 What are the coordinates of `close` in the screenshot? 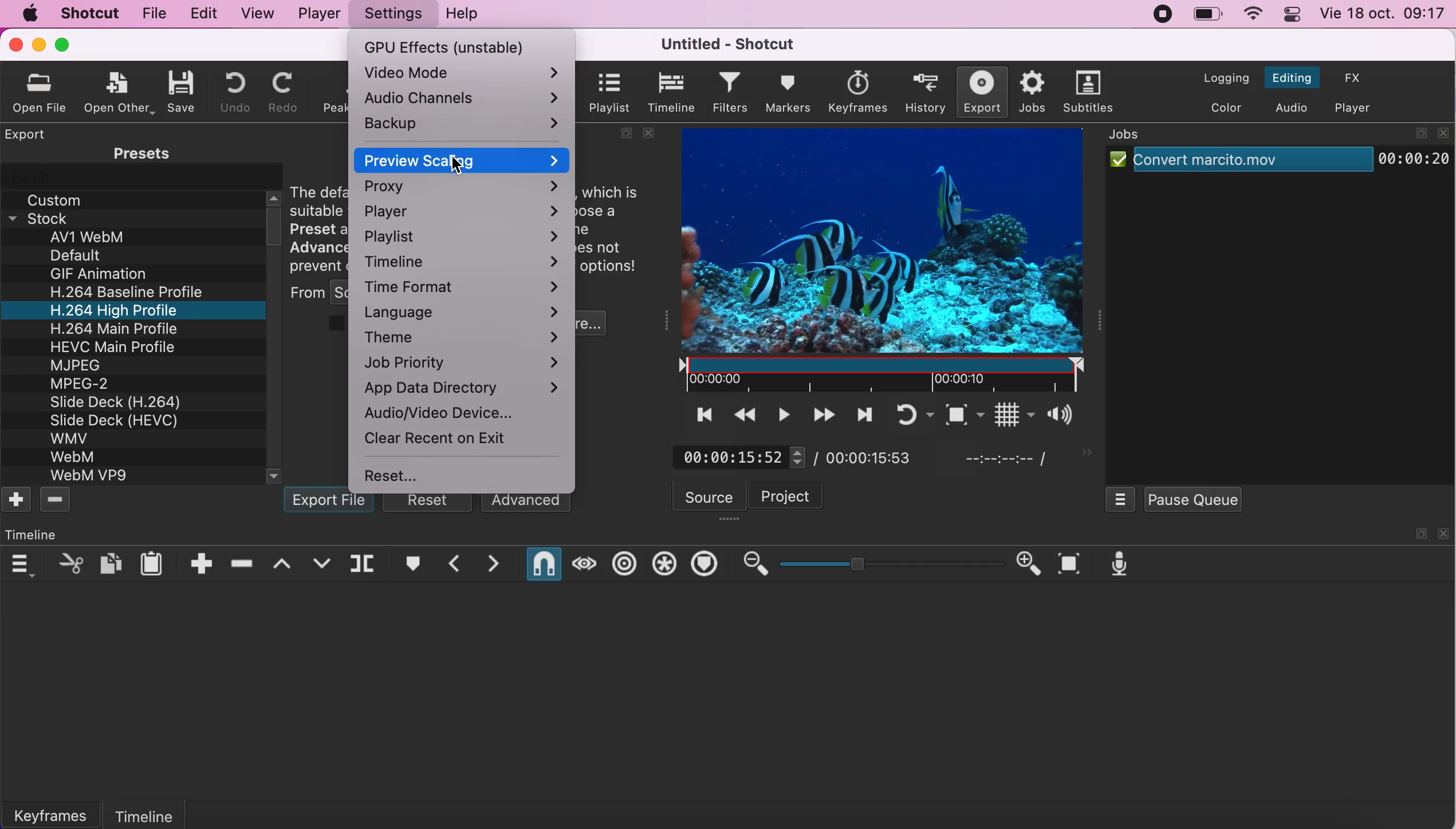 It's located at (14, 44).